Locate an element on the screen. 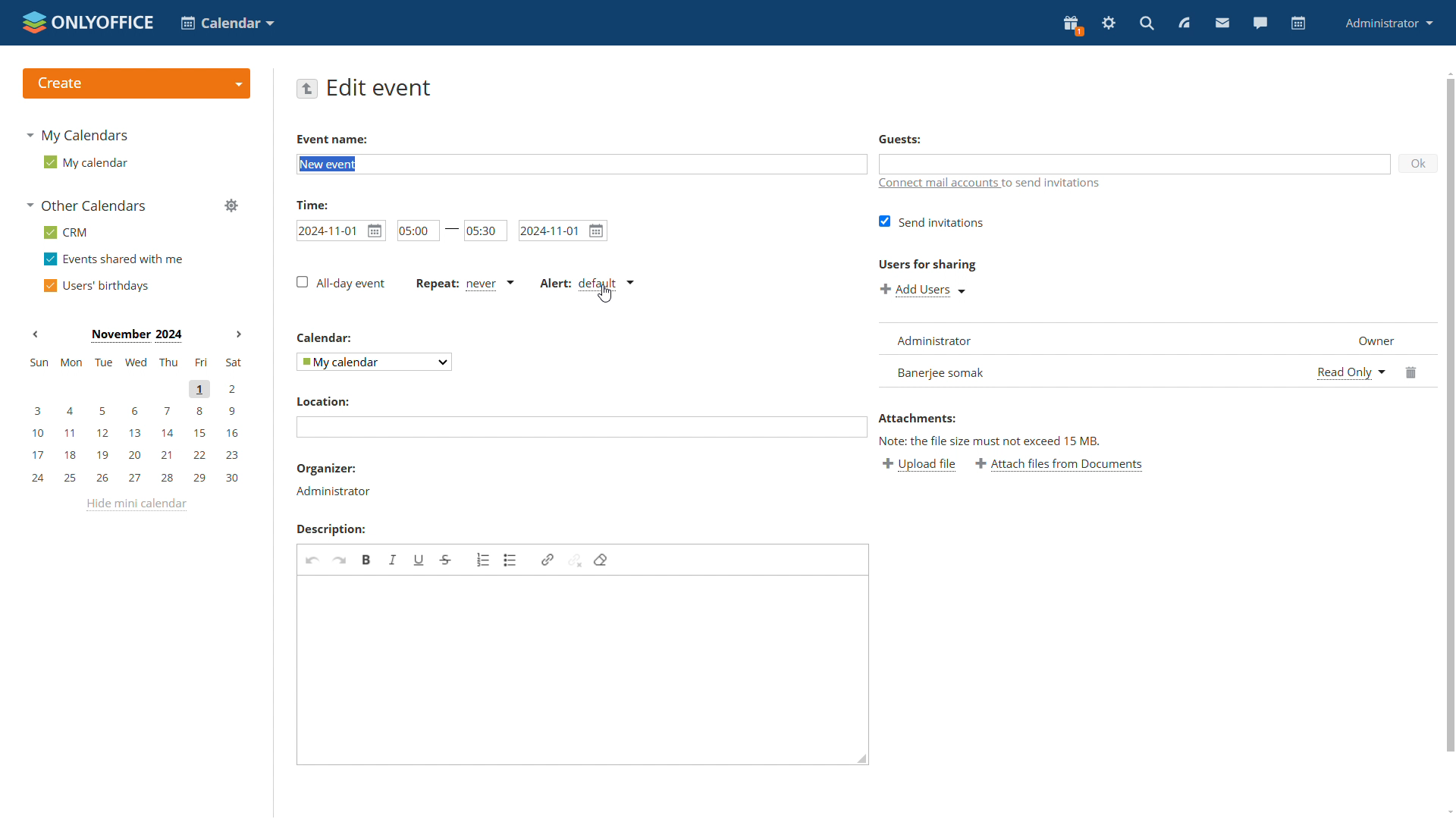 Image resolution: width=1456 pixels, height=819 pixels. Location is located at coordinates (322, 402).